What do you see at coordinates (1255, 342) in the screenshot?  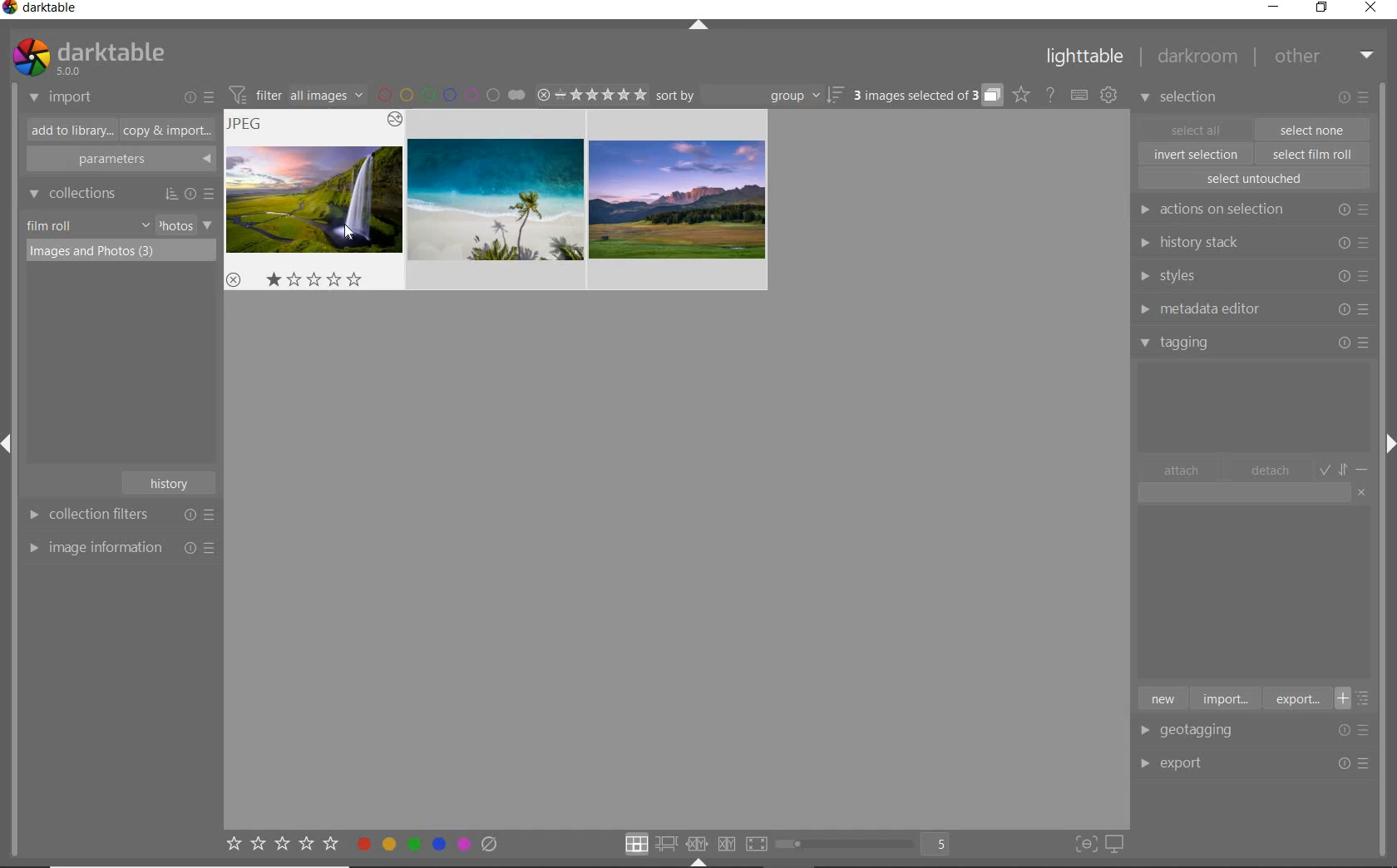 I see `tagging` at bounding box center [1255, 342].